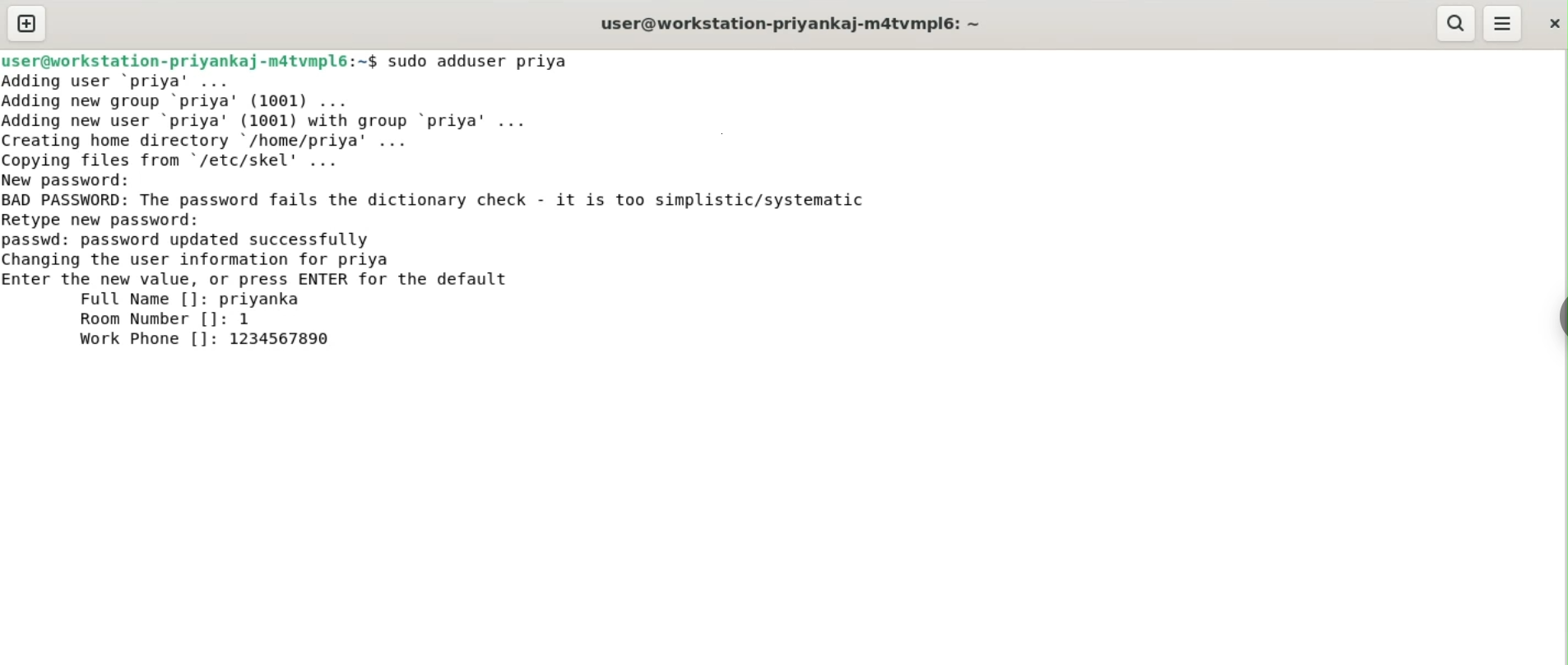 This screenshot has height=665, width=1568. Describe the element at coordinates (79, 179) in the screenshot. I see `new password` at that location.